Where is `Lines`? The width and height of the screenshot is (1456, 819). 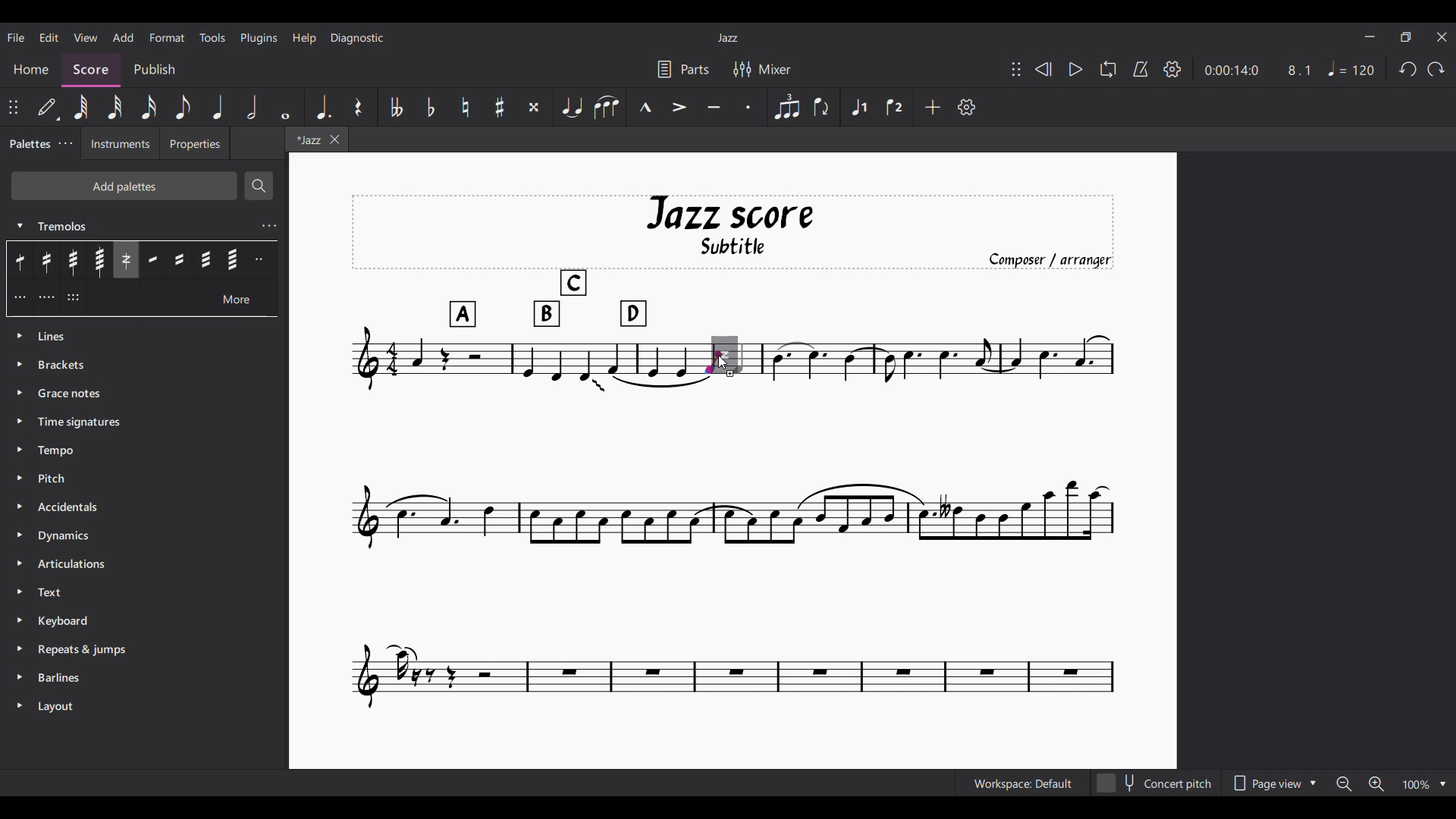
Lines is located at coordinates (146, 336).